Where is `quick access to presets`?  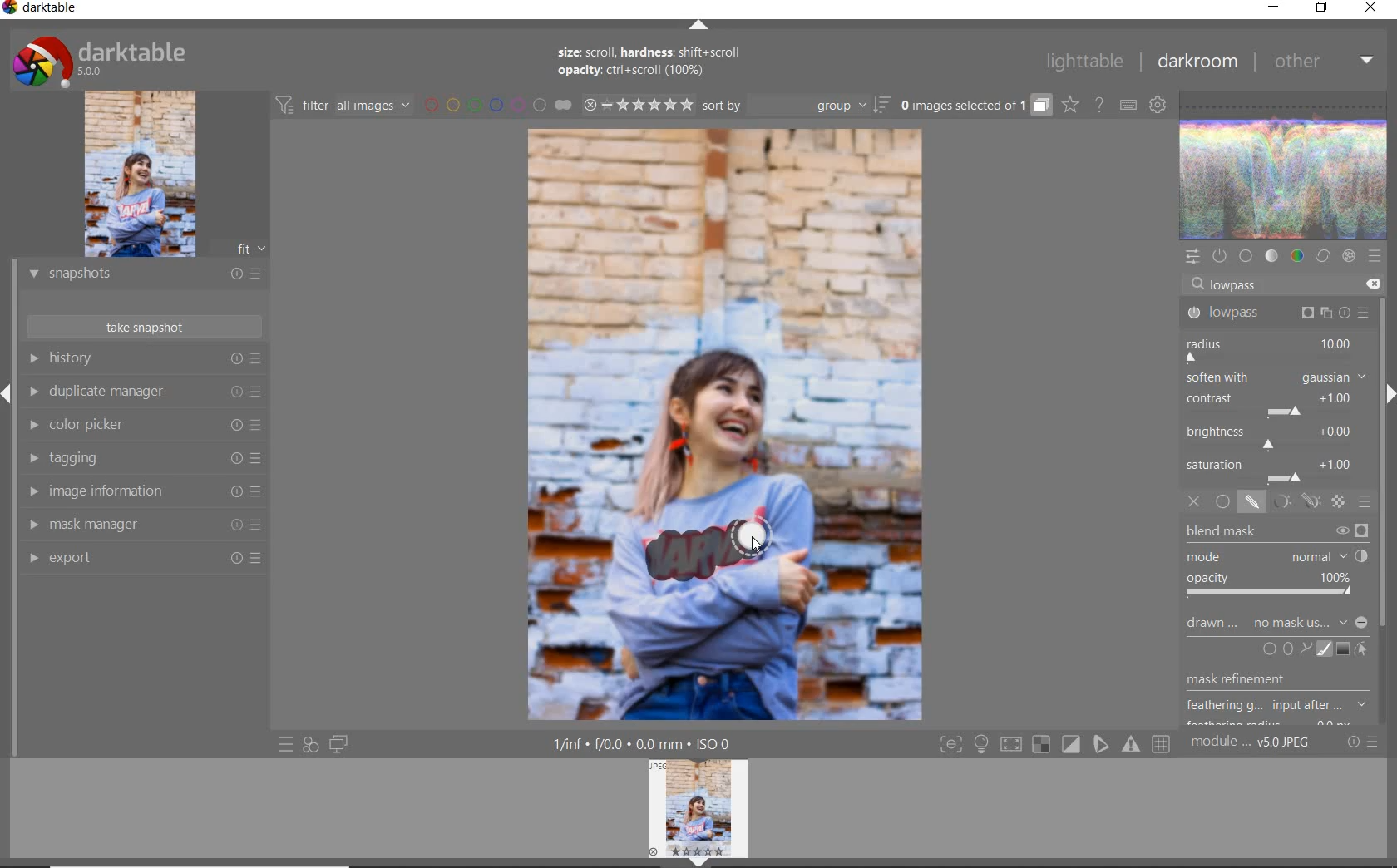
quick access to presets is located at coordinates (288, 743).